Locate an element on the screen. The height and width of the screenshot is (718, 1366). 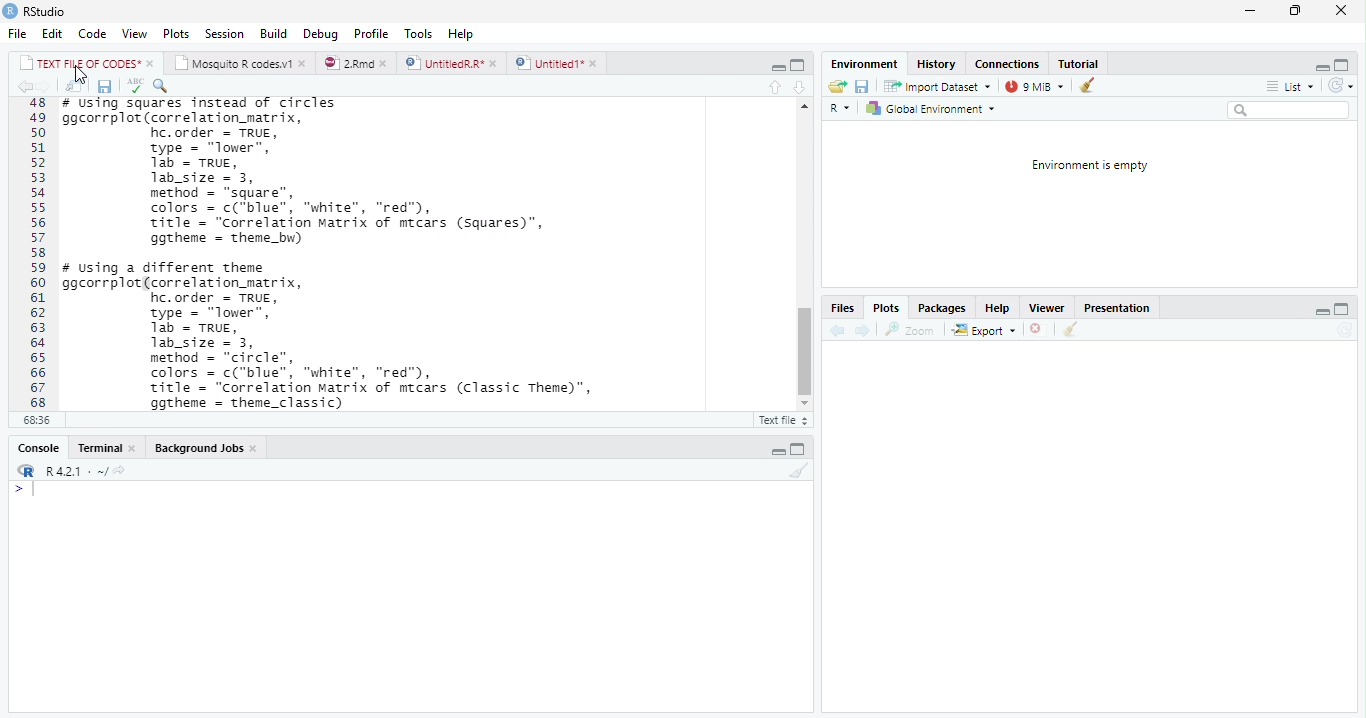
= List is located at coordinates (1292, 87).